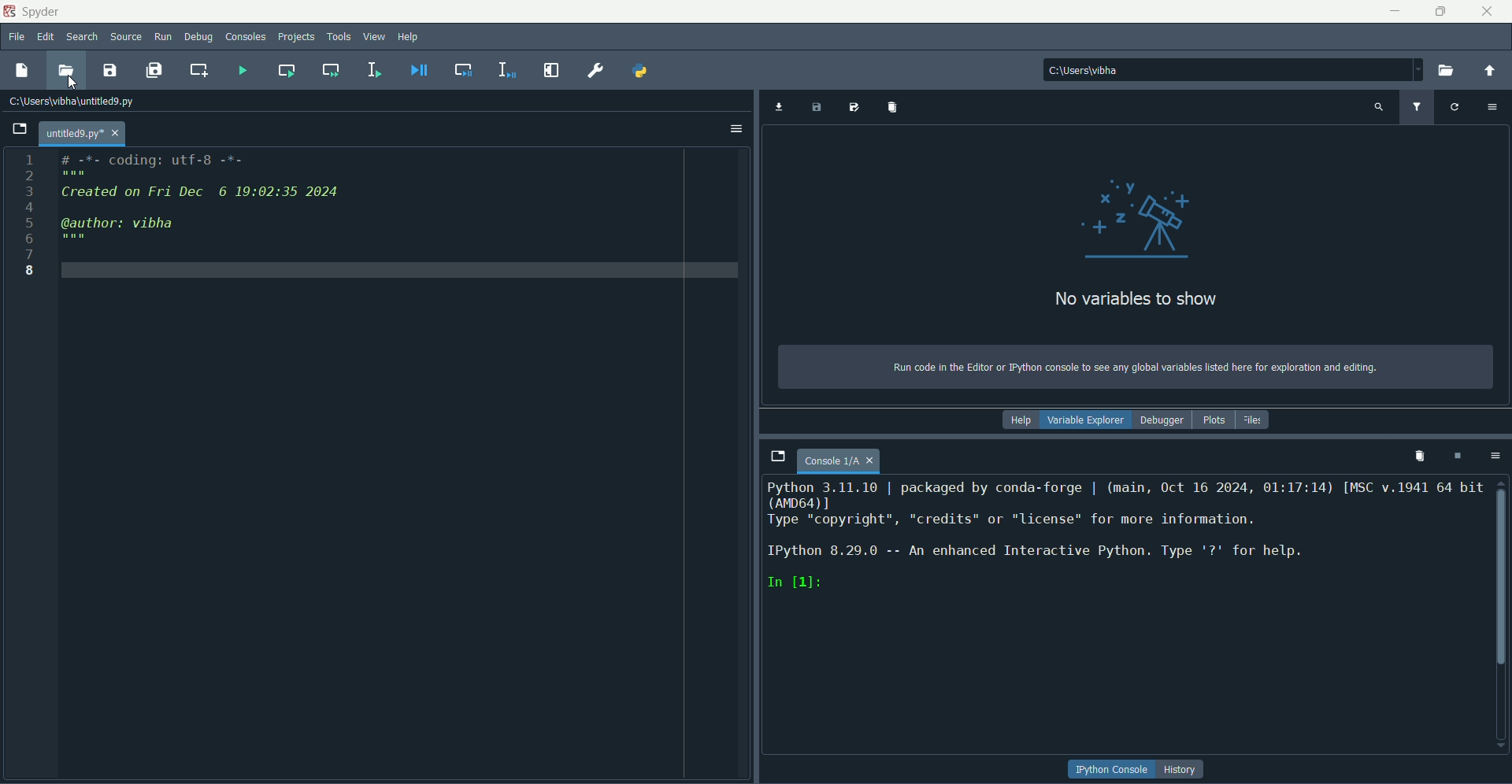 The height and width of the screenshot is (784, 1512). I want to click on file path, so click(71, 100).